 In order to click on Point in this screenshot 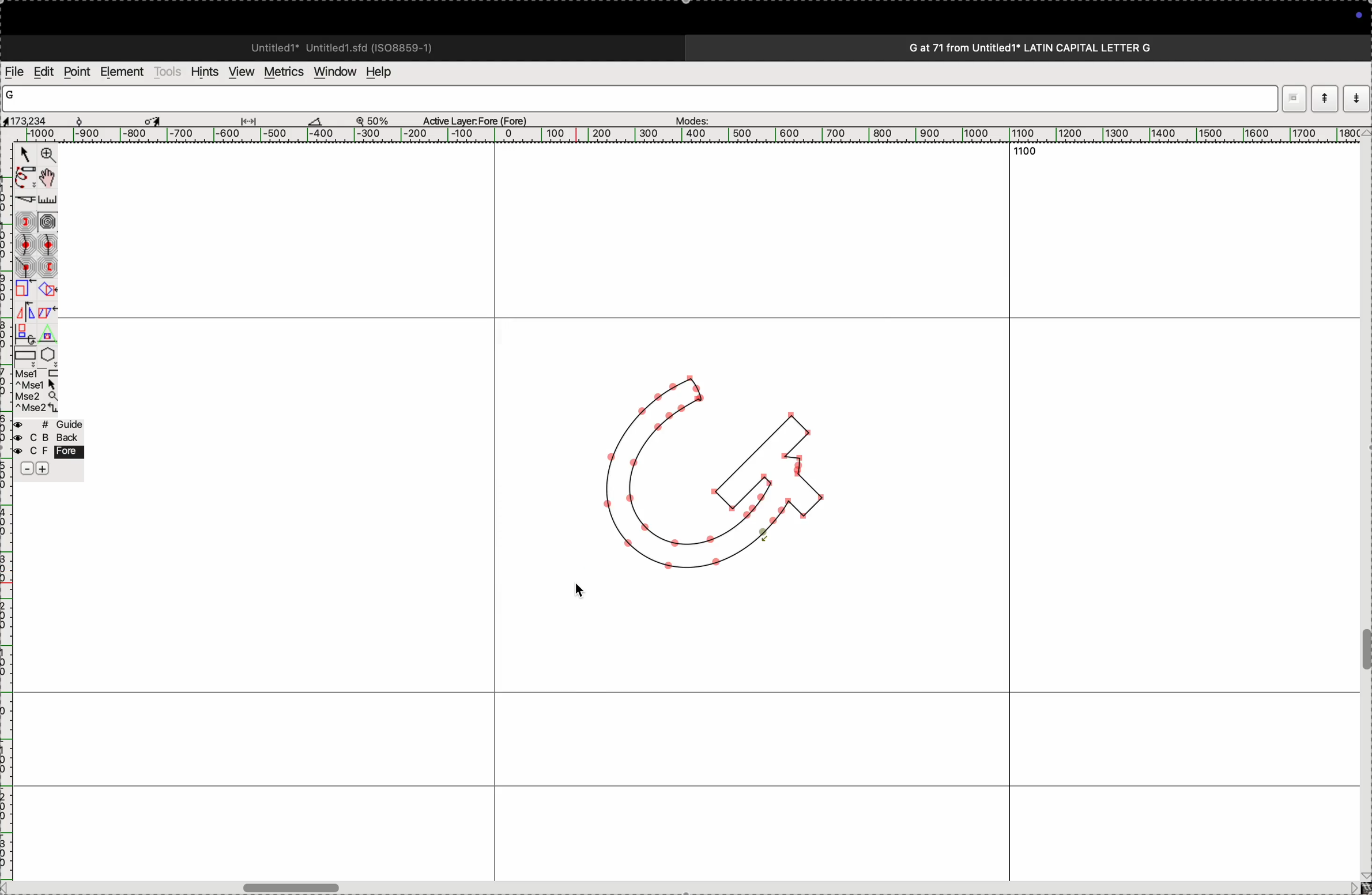, I will do `click(25, 155)`.